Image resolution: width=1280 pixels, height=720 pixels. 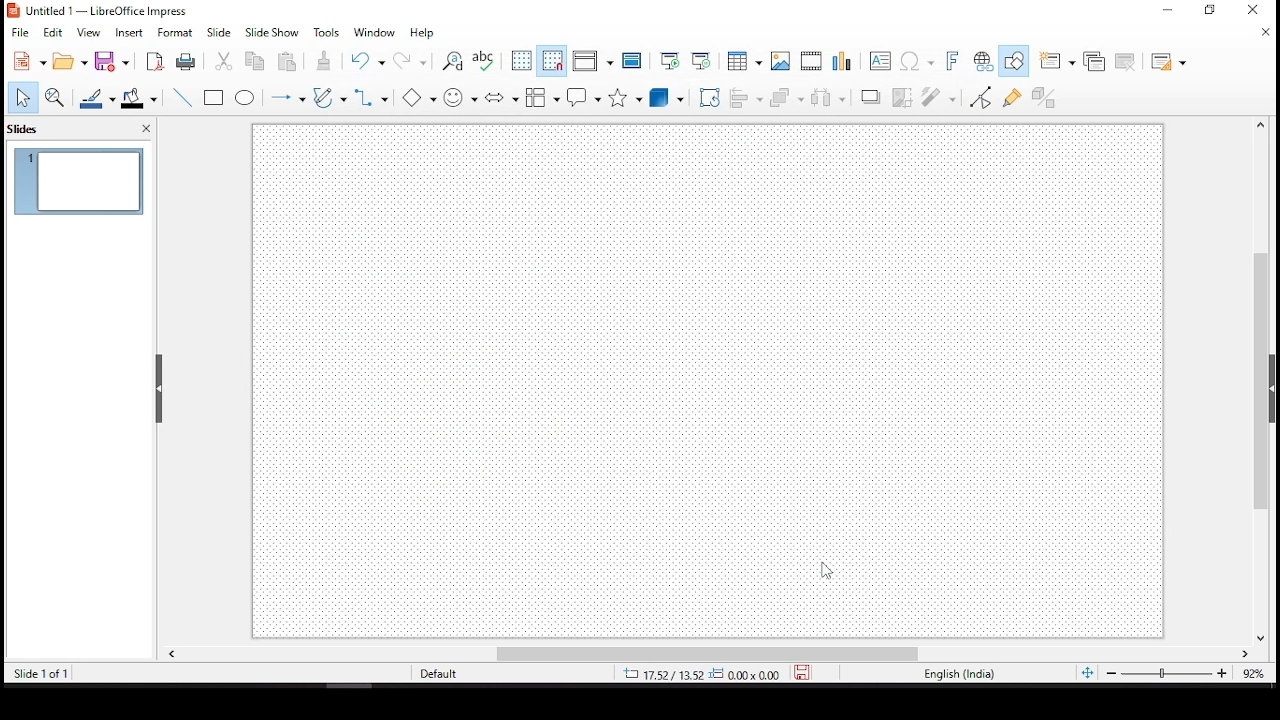 What do you see at coordinates (812, 62) in the screenshot?
I see `insert audio or video` at bounding box center [812, 62].